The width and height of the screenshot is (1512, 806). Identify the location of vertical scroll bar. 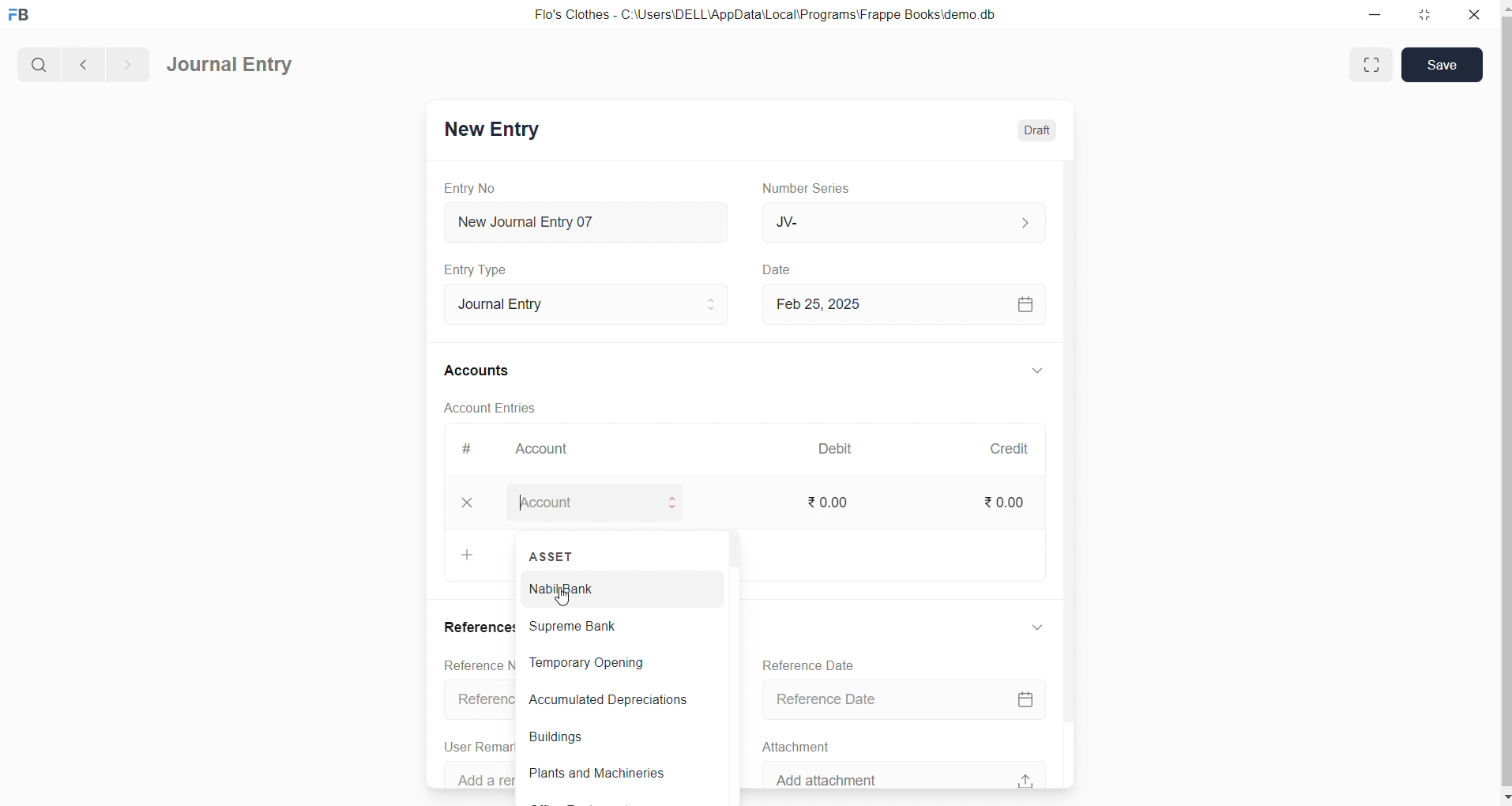
(1076, 472).